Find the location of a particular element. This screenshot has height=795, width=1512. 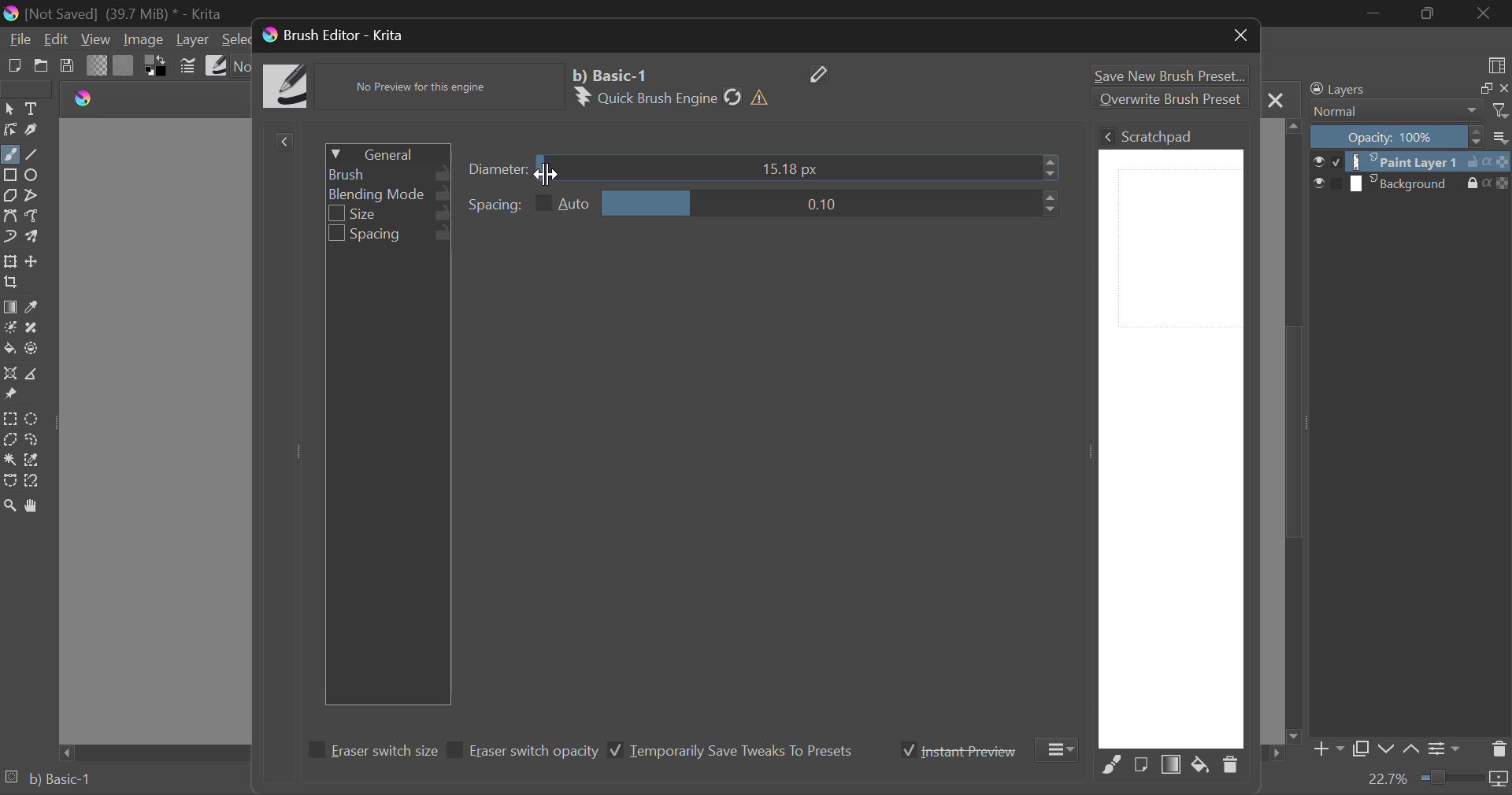

Colorize Mask Tool is located at coordinates (9, 329).